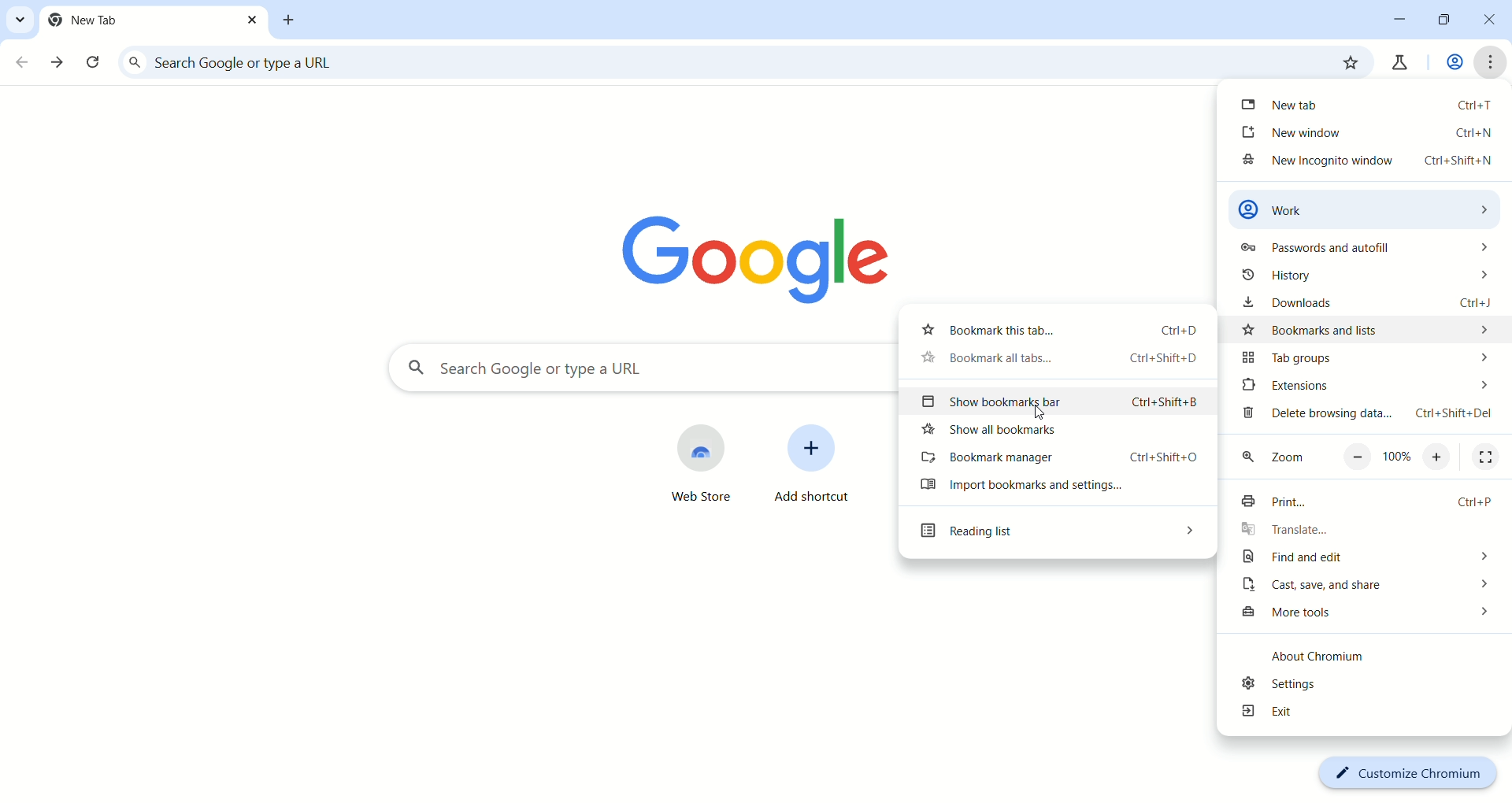  I want to click on customize and control chrome, so click(1492, 62).